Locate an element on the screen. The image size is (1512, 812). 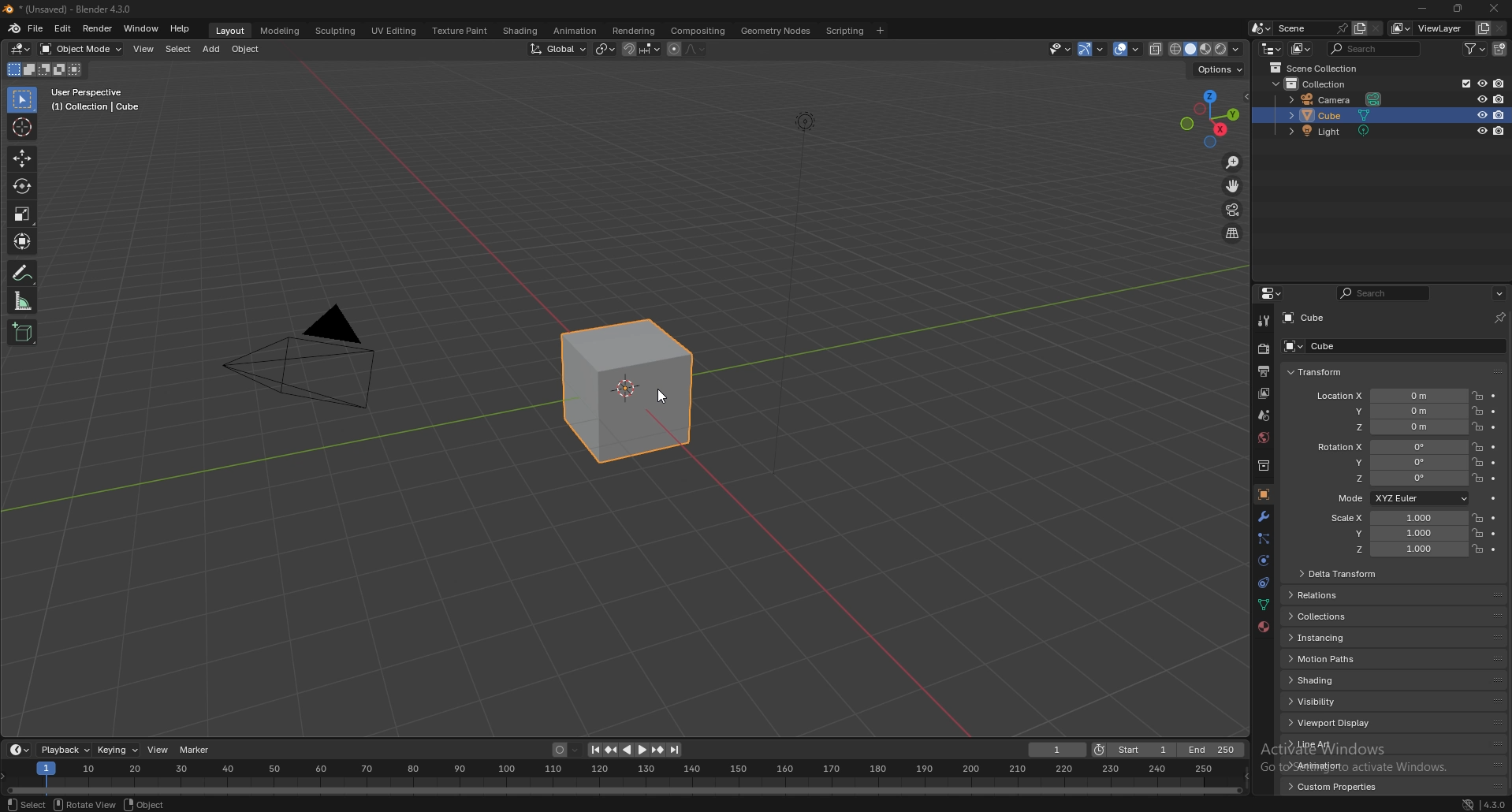
view is located at coordinates (144, 49).